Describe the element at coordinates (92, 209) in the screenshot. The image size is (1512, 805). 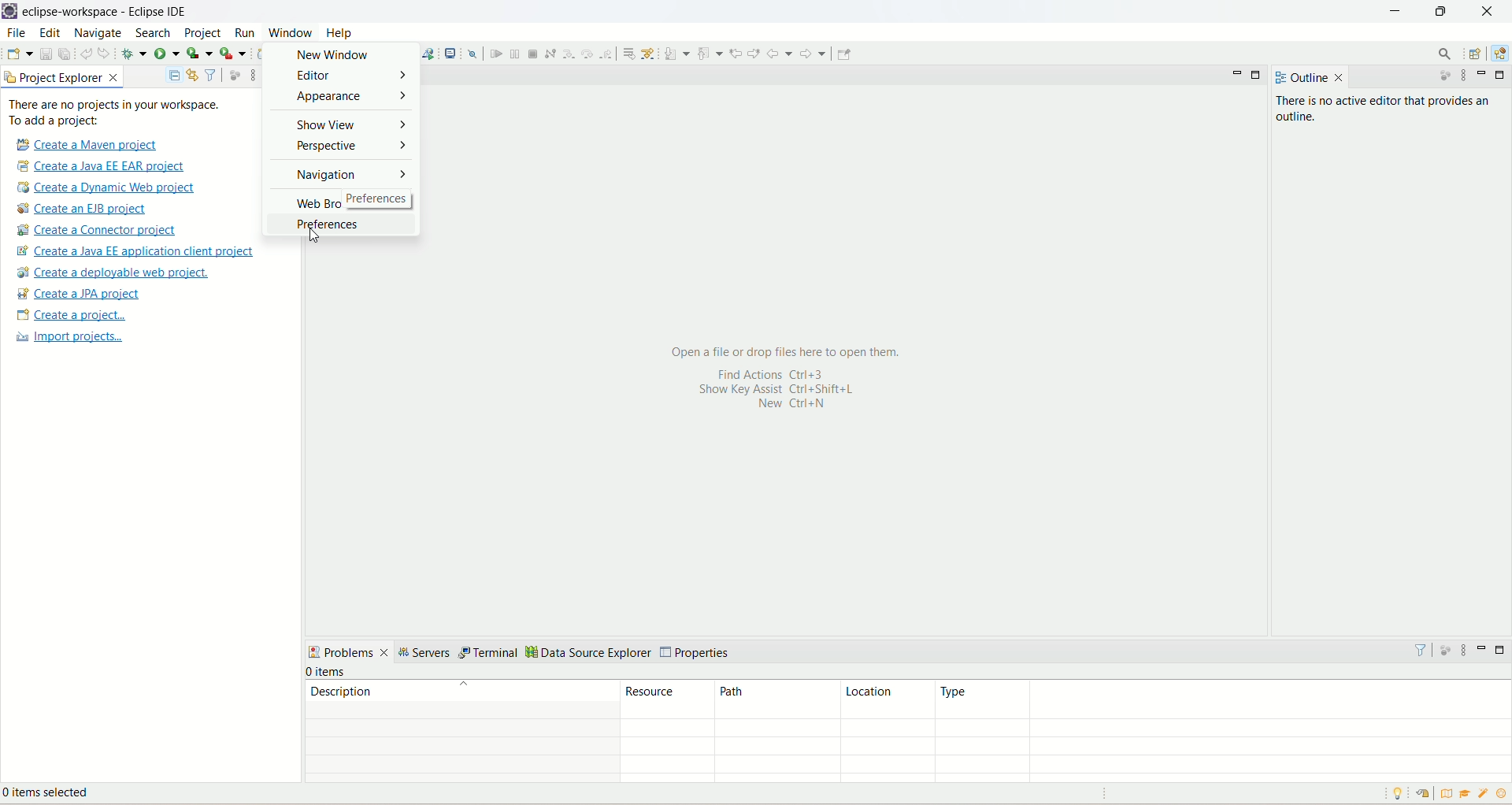
I see `create a EJB project` at that location.